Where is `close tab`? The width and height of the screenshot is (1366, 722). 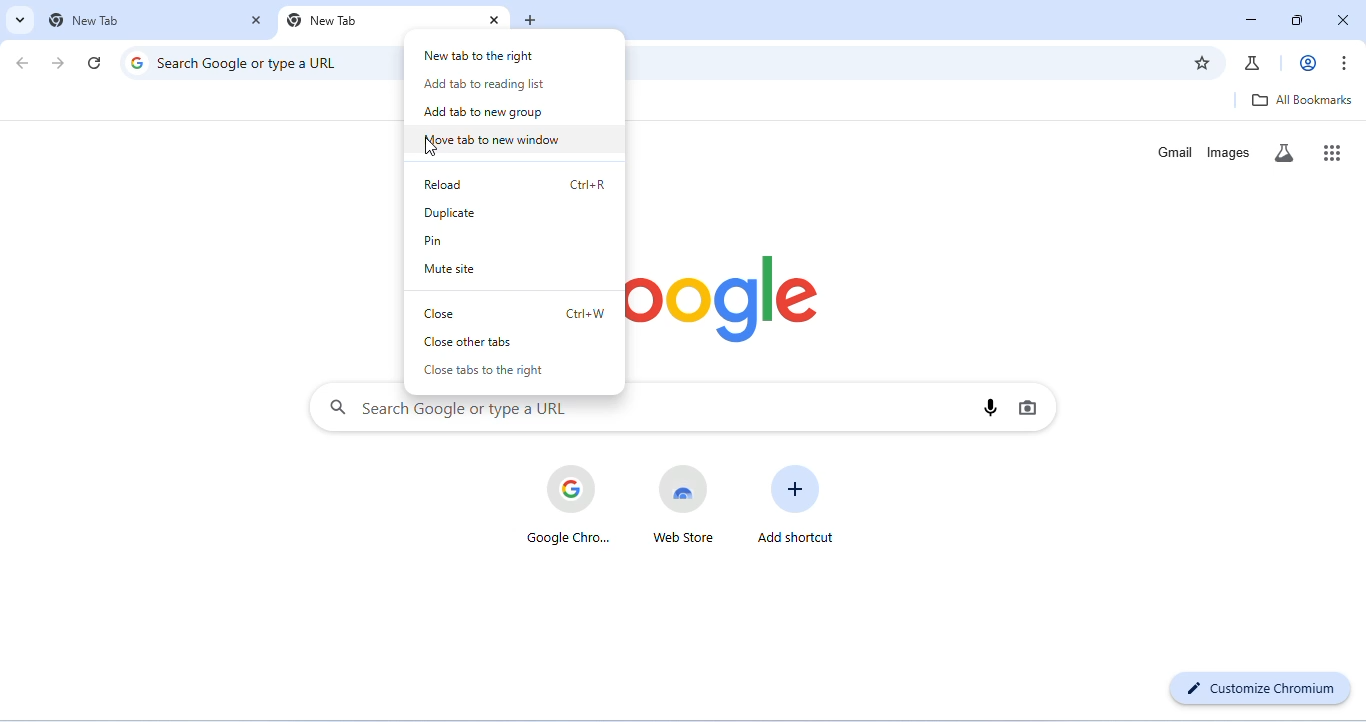
close tab is located at coordinates (492, 20).